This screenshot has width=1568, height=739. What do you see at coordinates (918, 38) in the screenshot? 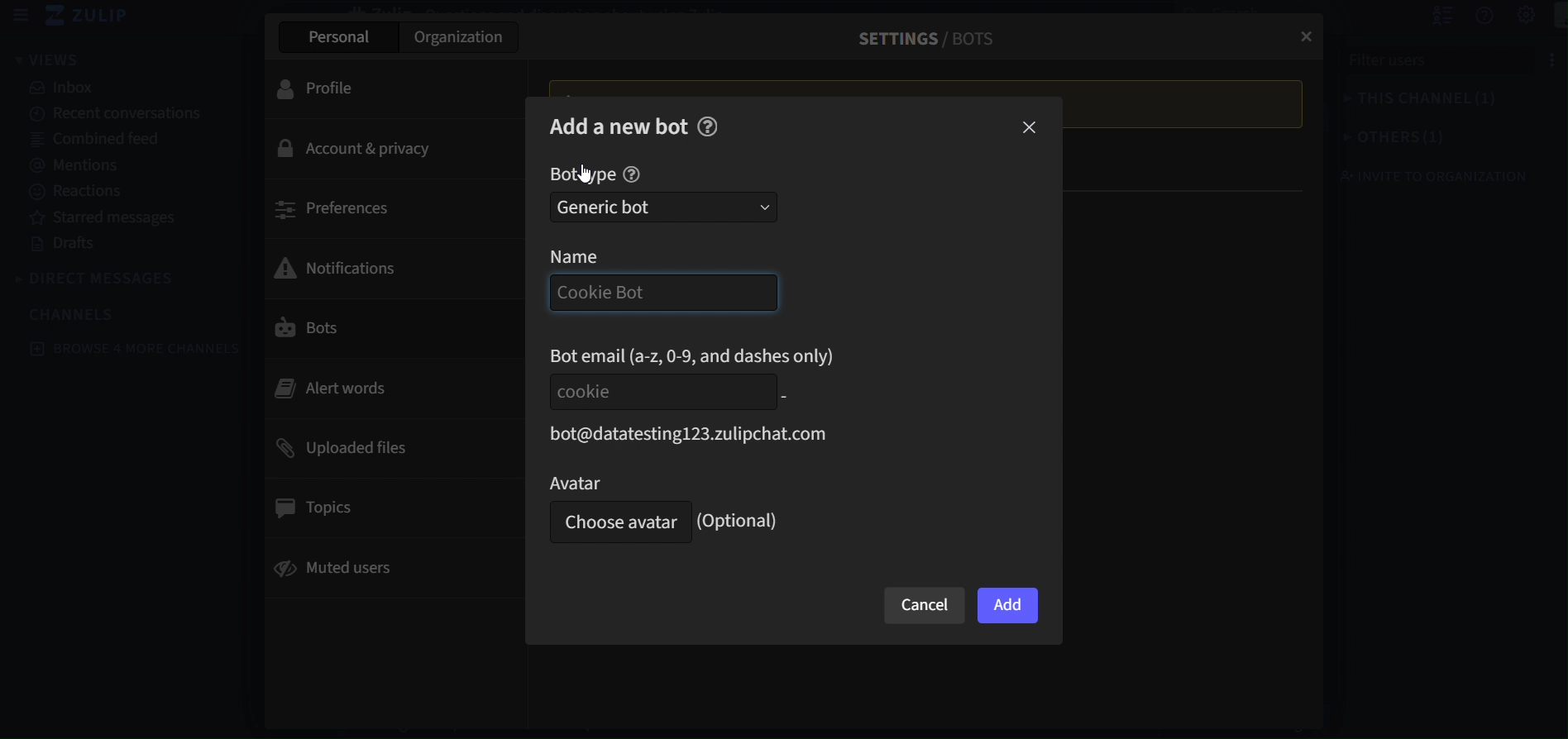
I see `settings/ Bots` at bounding box center [918, 38].